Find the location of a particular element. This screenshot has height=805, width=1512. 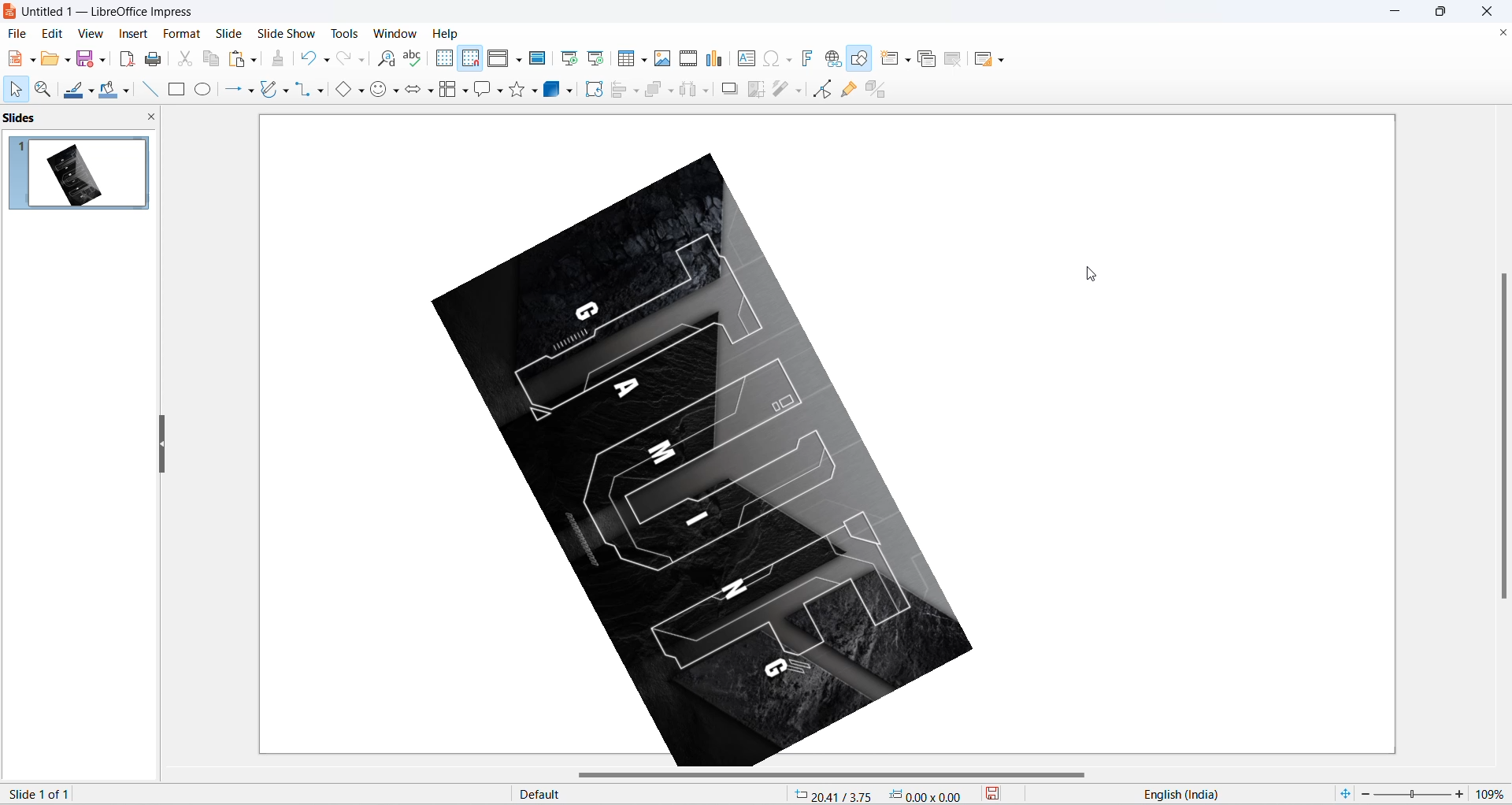

new file options is located at coordinates (34, 61).